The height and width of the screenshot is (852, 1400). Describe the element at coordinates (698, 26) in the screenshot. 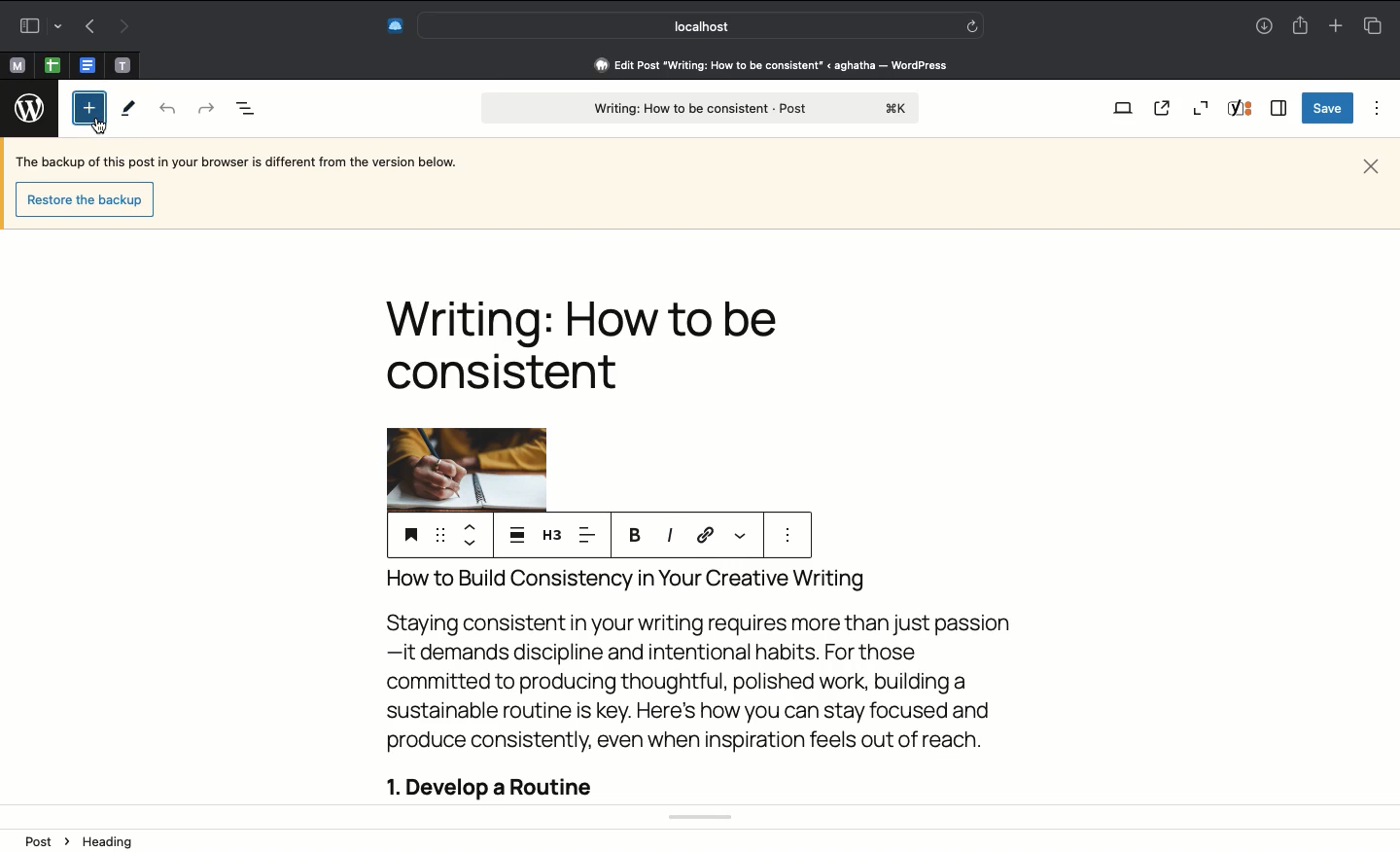

I see `Search address bar` at that location.